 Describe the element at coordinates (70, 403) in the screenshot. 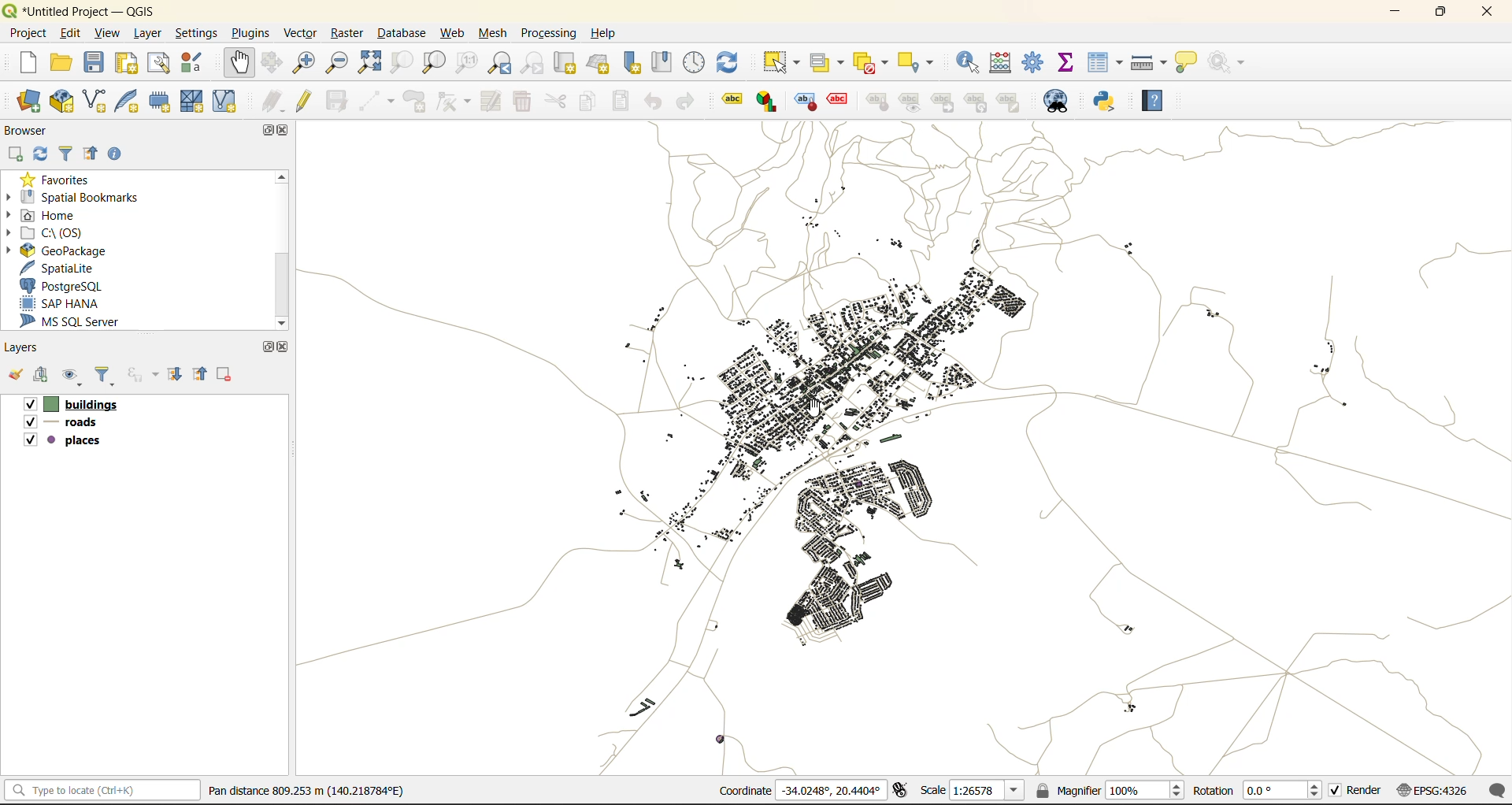

I see `buildings` at that location.